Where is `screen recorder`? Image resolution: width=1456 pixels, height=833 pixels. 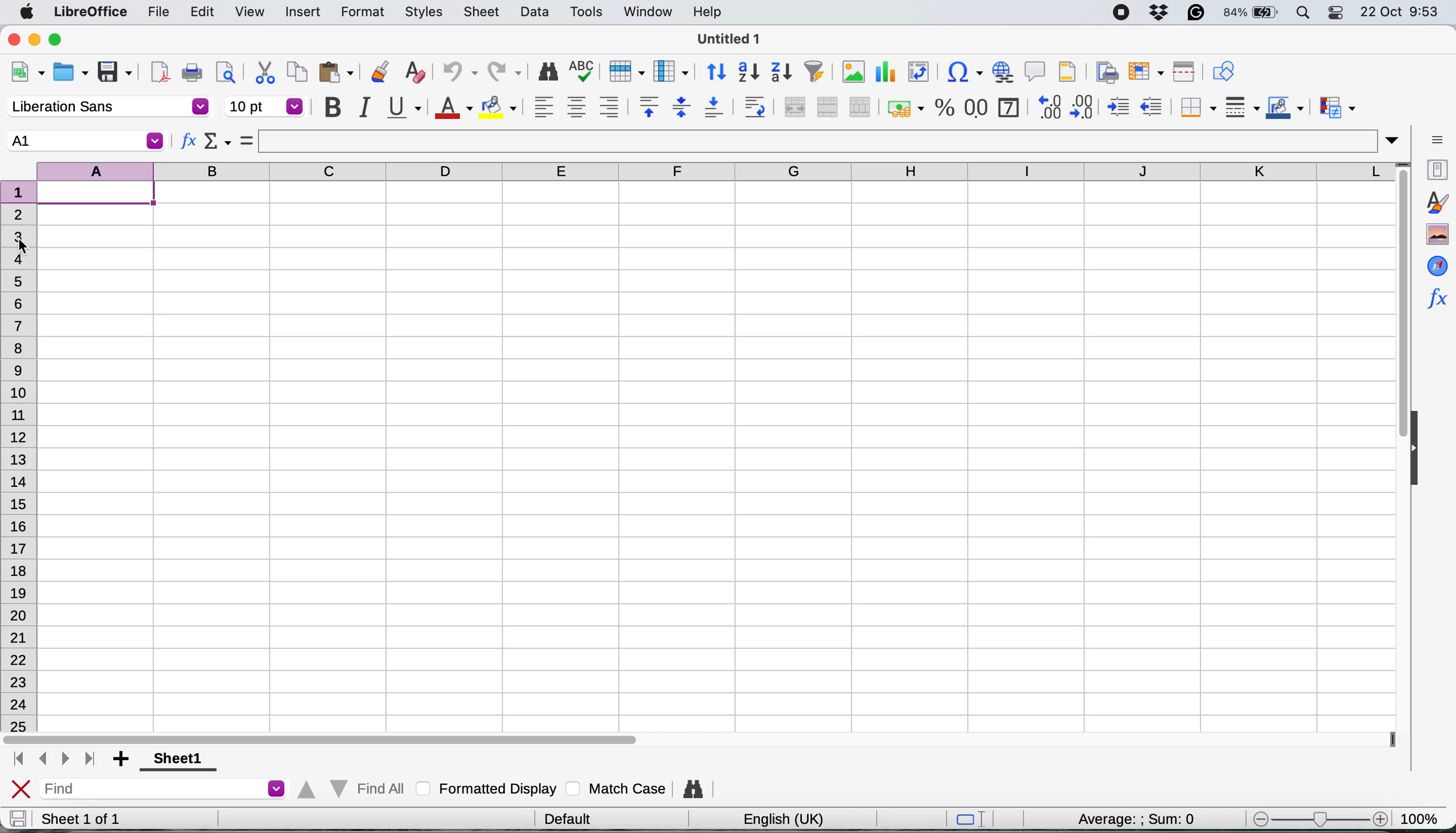 screen recorder is located at coordinates (1126, 14).